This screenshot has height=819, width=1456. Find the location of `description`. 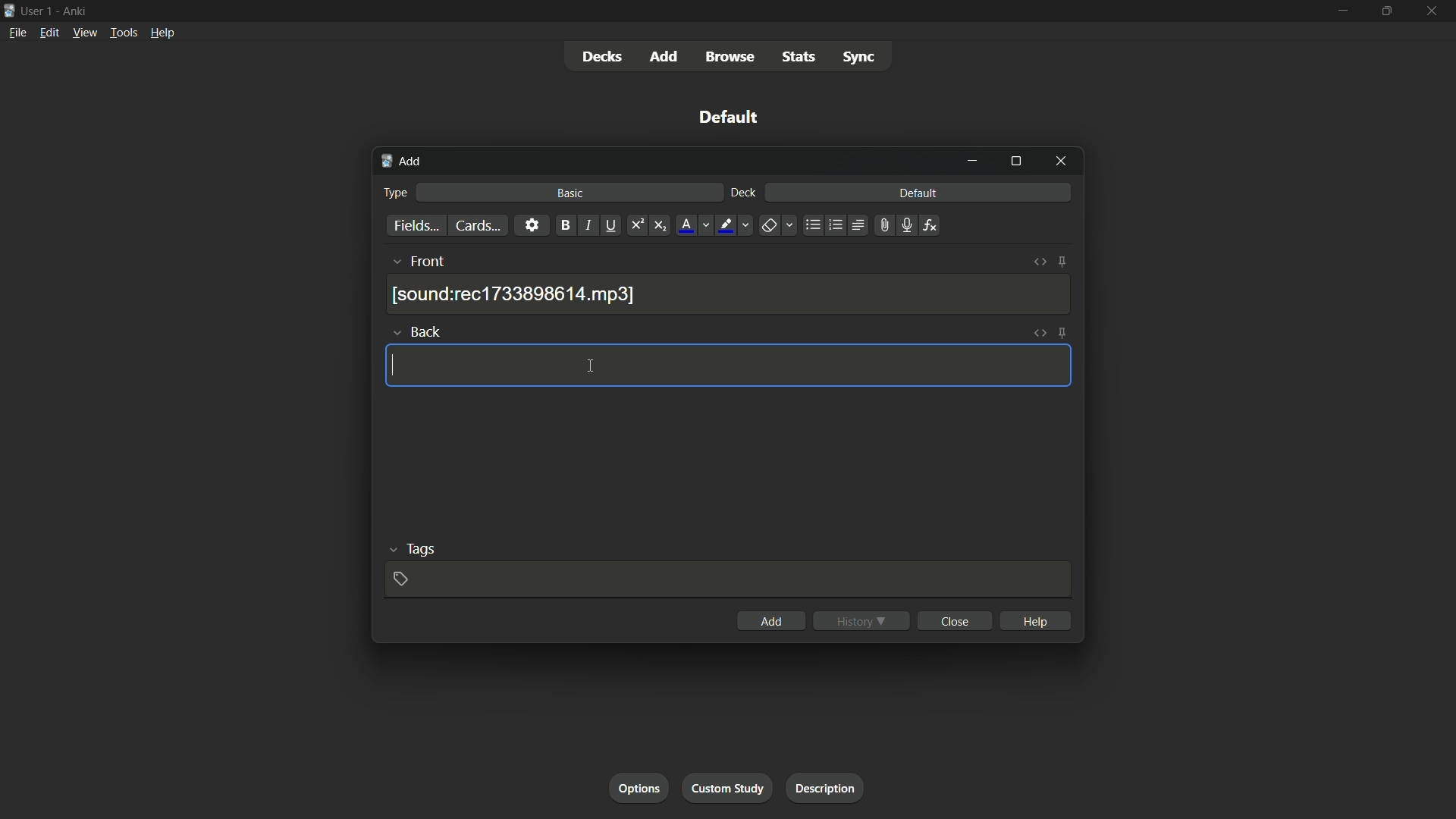

description is located at coordinates (829, 789).